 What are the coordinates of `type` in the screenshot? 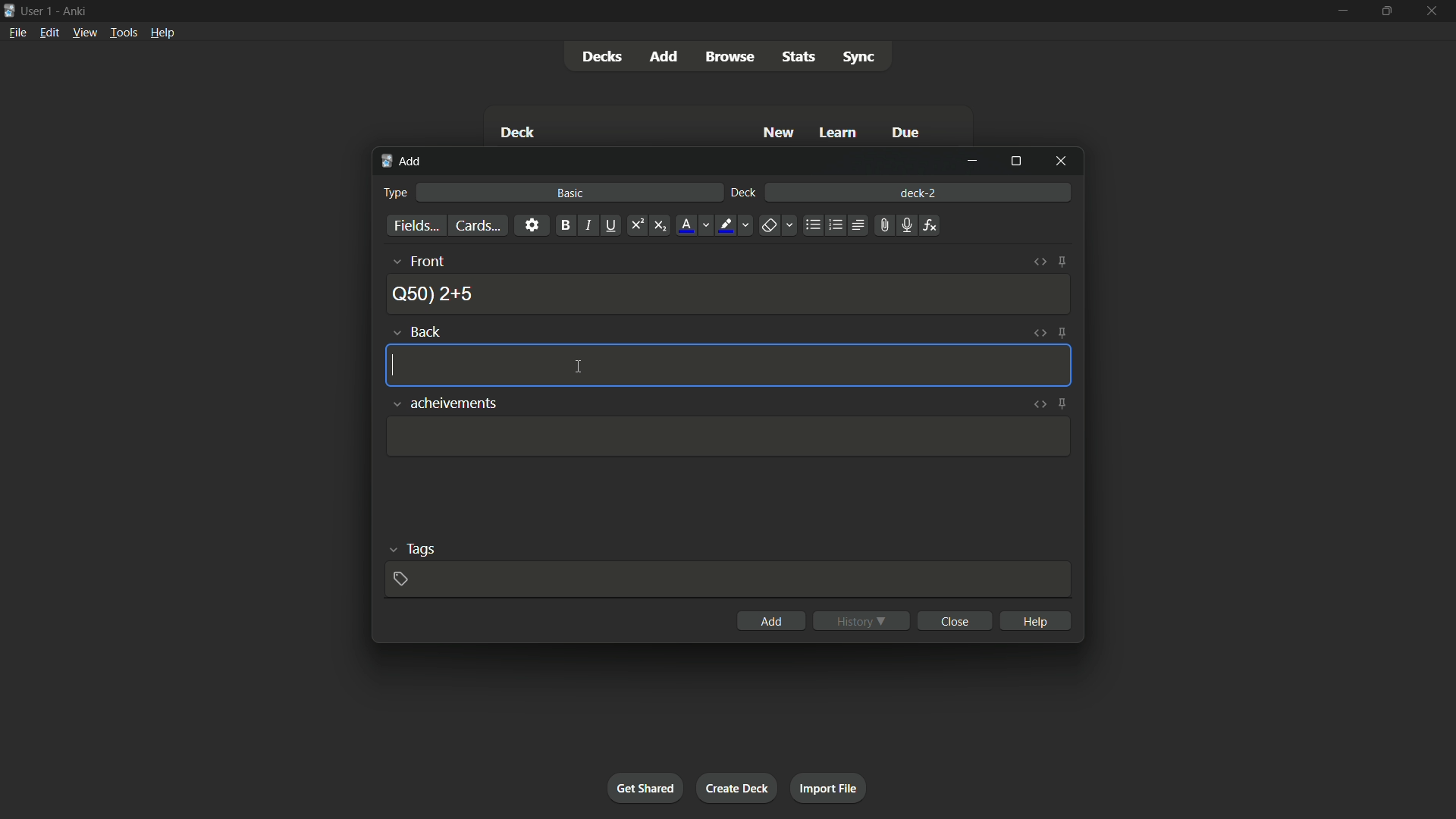 It's located at (395, 193).